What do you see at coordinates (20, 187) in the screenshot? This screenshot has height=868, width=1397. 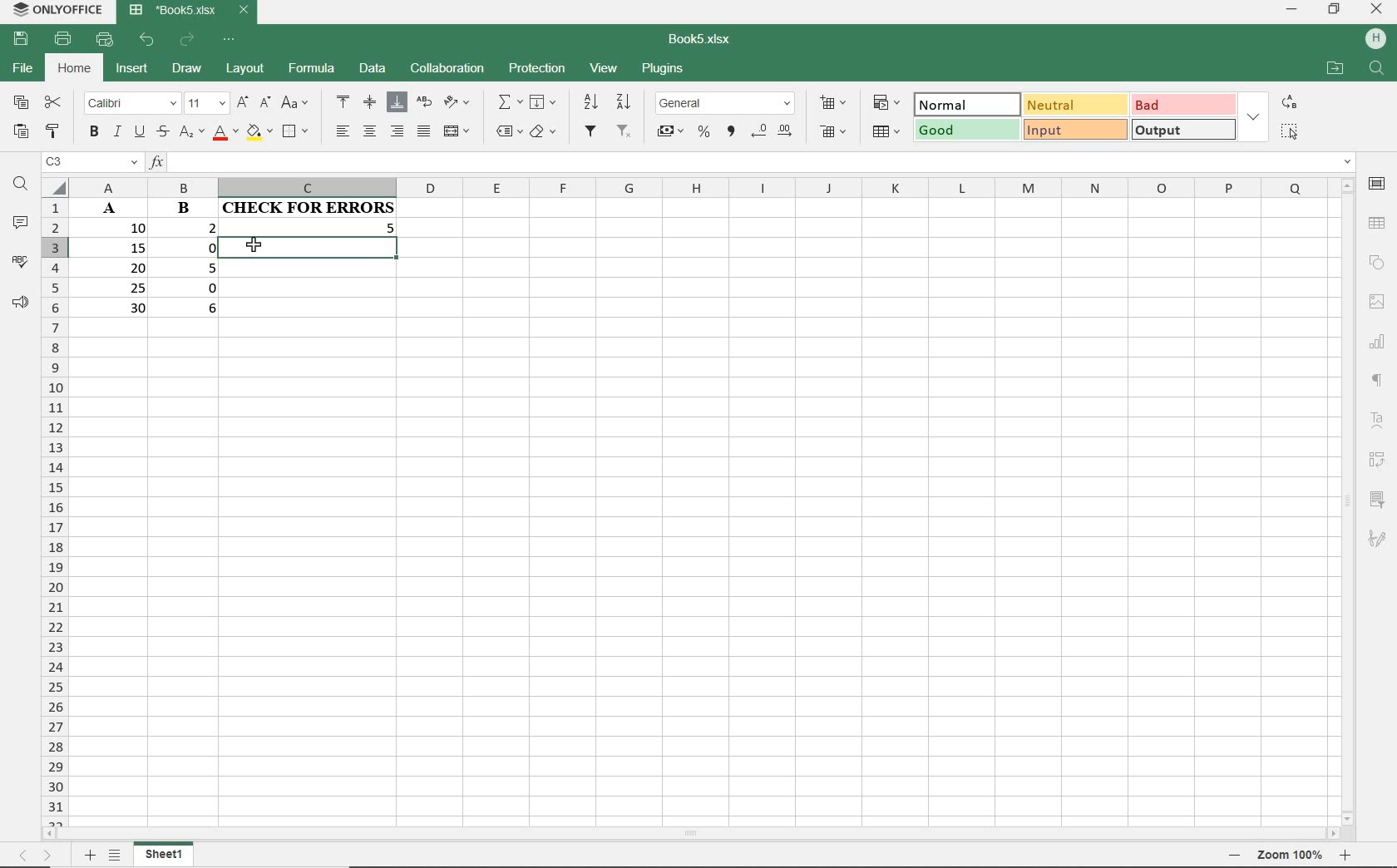 I see `FIND` at bounding box center [20, 187].